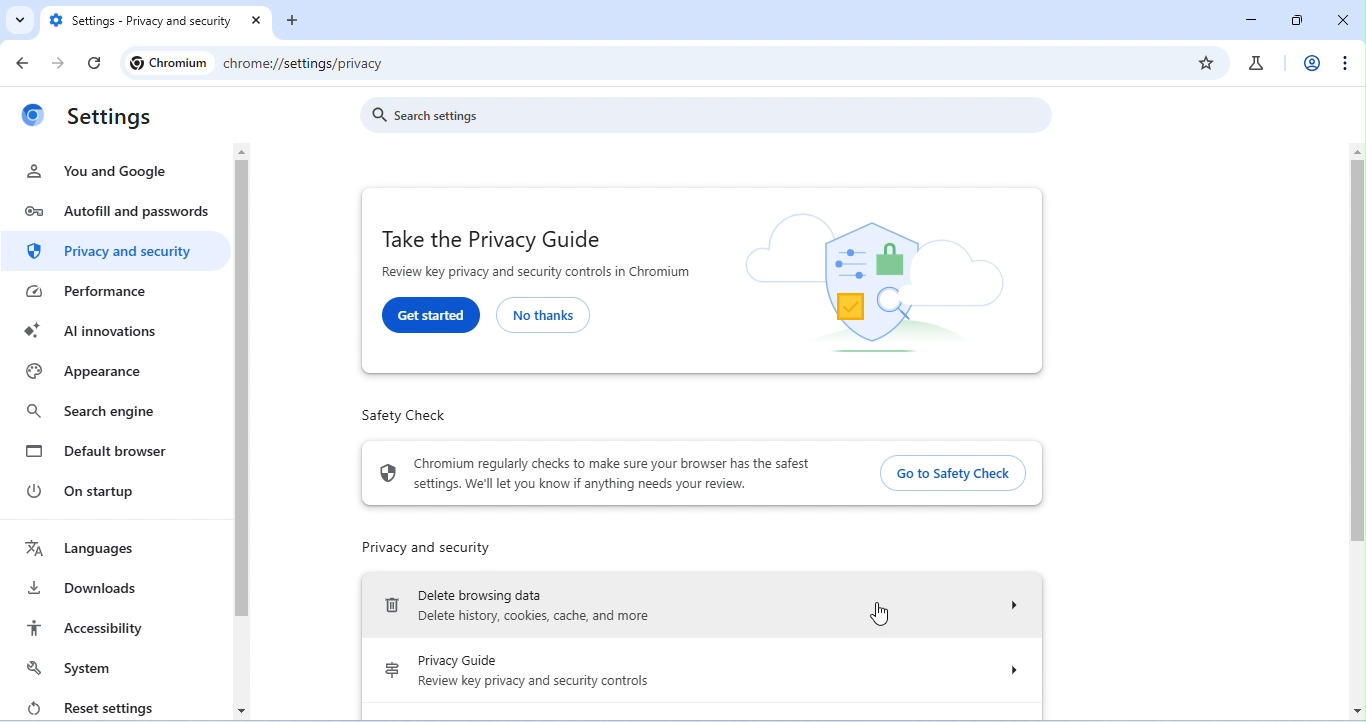 The height and width of the screenshot is (722, 1366). Describe the element at coordinates (1356, 431) in the screenshot. I see `vertical scroll bar` at that location.